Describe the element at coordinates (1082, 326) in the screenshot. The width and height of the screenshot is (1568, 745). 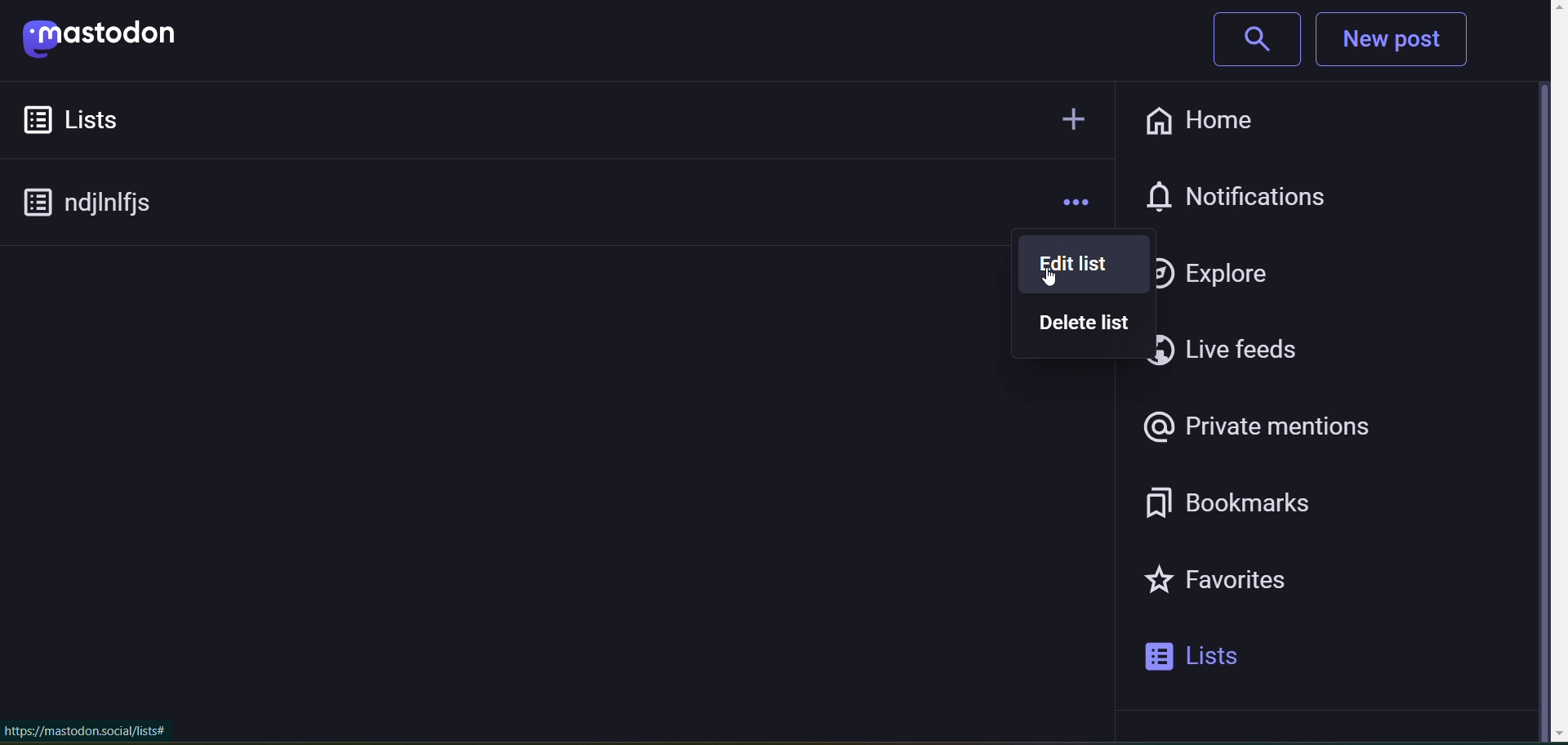
I see `delete list` at that location.